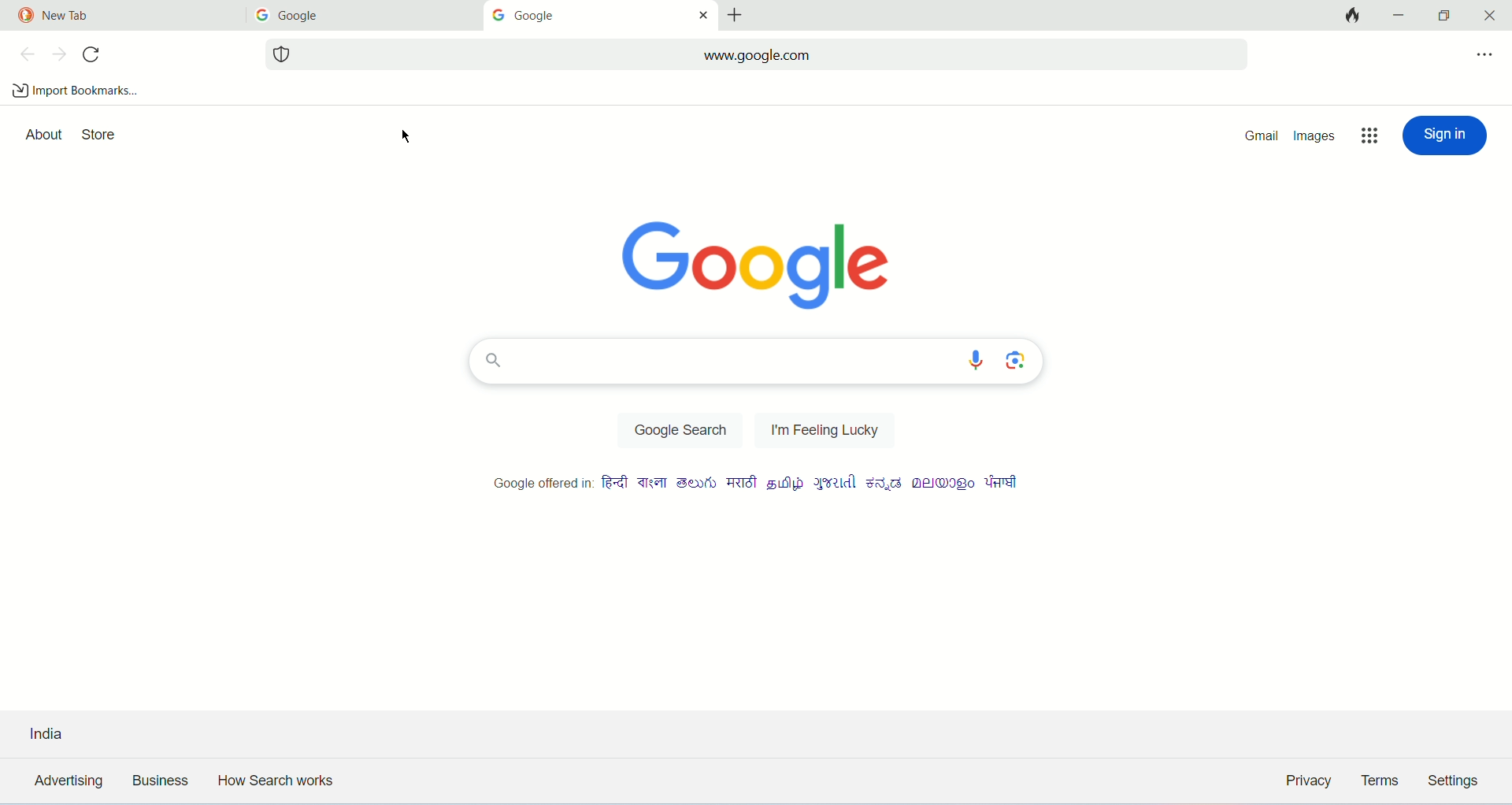  I want to click on about, so click(43, 133).